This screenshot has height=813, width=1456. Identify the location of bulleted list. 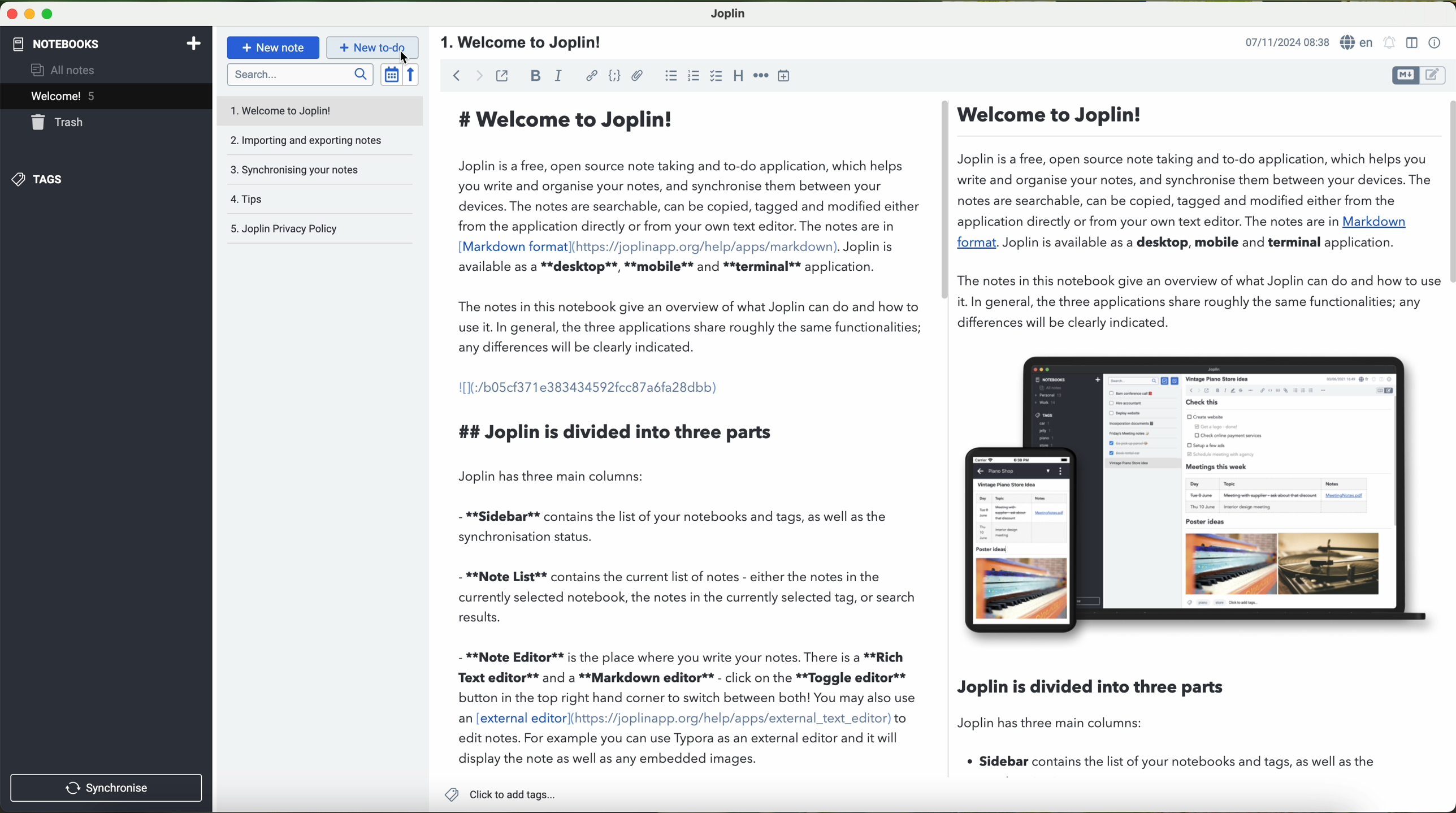
(669, 76).